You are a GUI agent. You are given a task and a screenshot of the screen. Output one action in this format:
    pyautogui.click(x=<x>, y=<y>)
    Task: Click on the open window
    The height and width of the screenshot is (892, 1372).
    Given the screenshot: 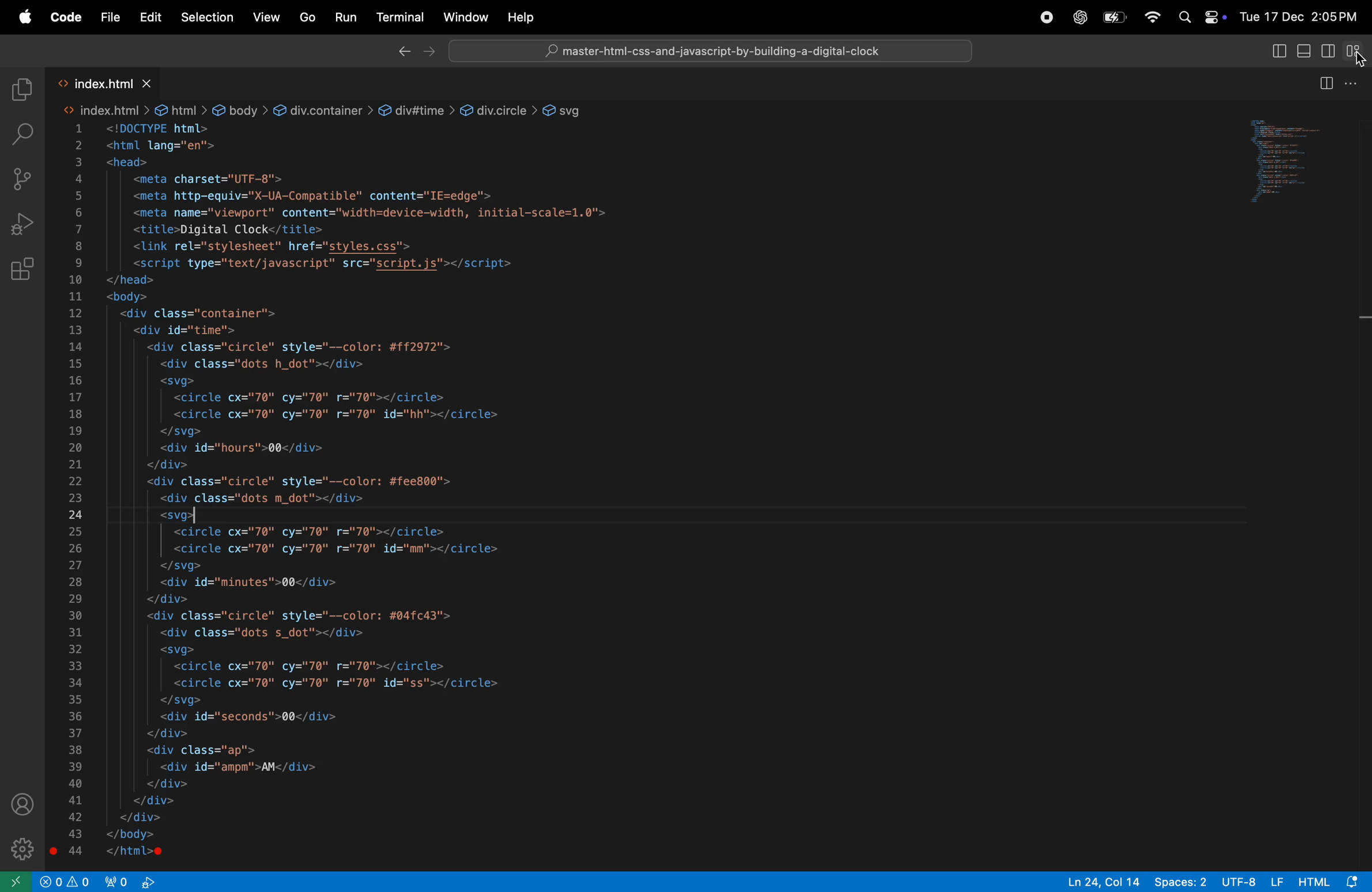 What is the action you would take?
    pyautogui.click(x=16, y=882)
    